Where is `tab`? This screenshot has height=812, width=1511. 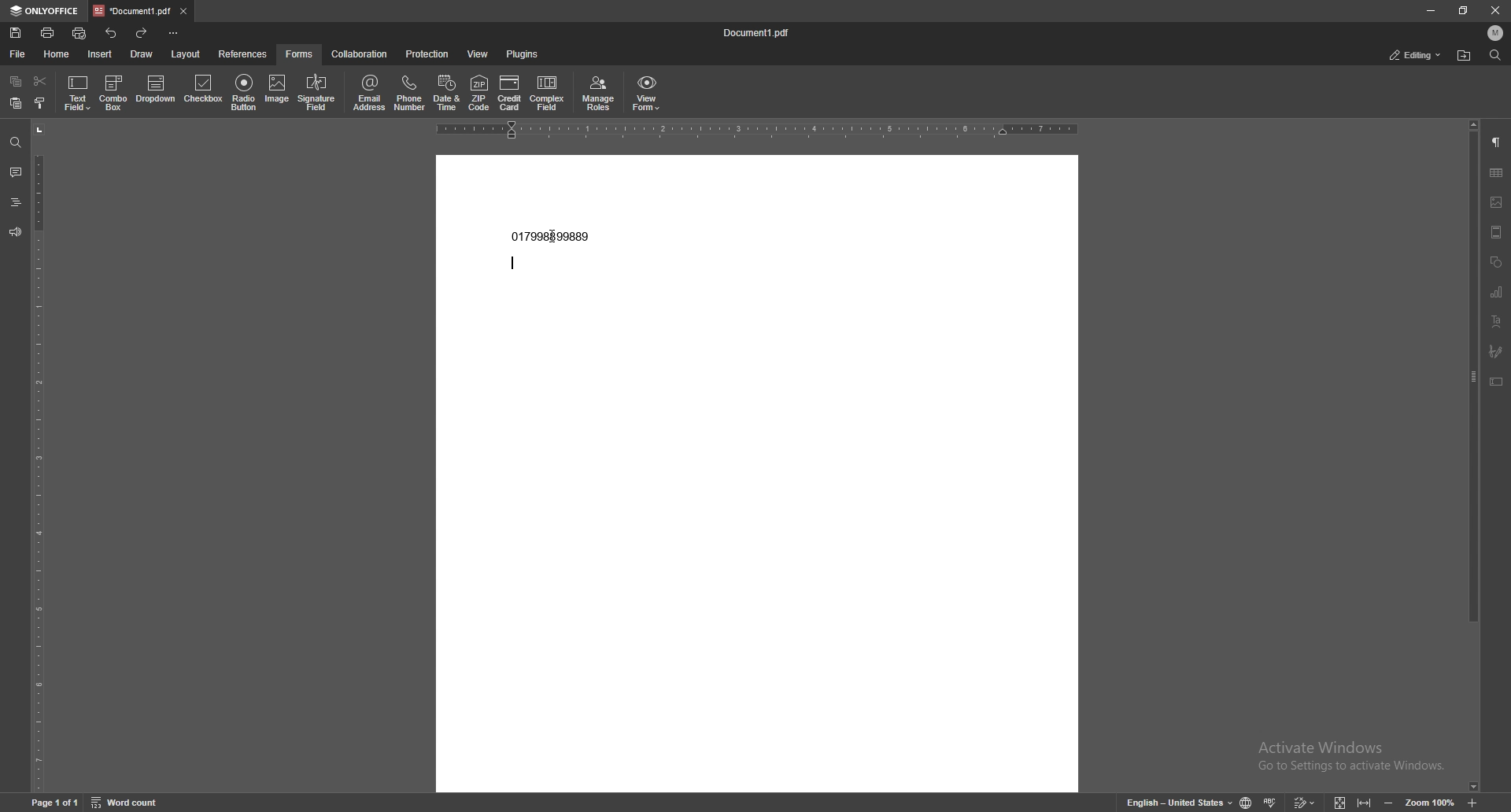 tab is located at coordinates (132, 11).